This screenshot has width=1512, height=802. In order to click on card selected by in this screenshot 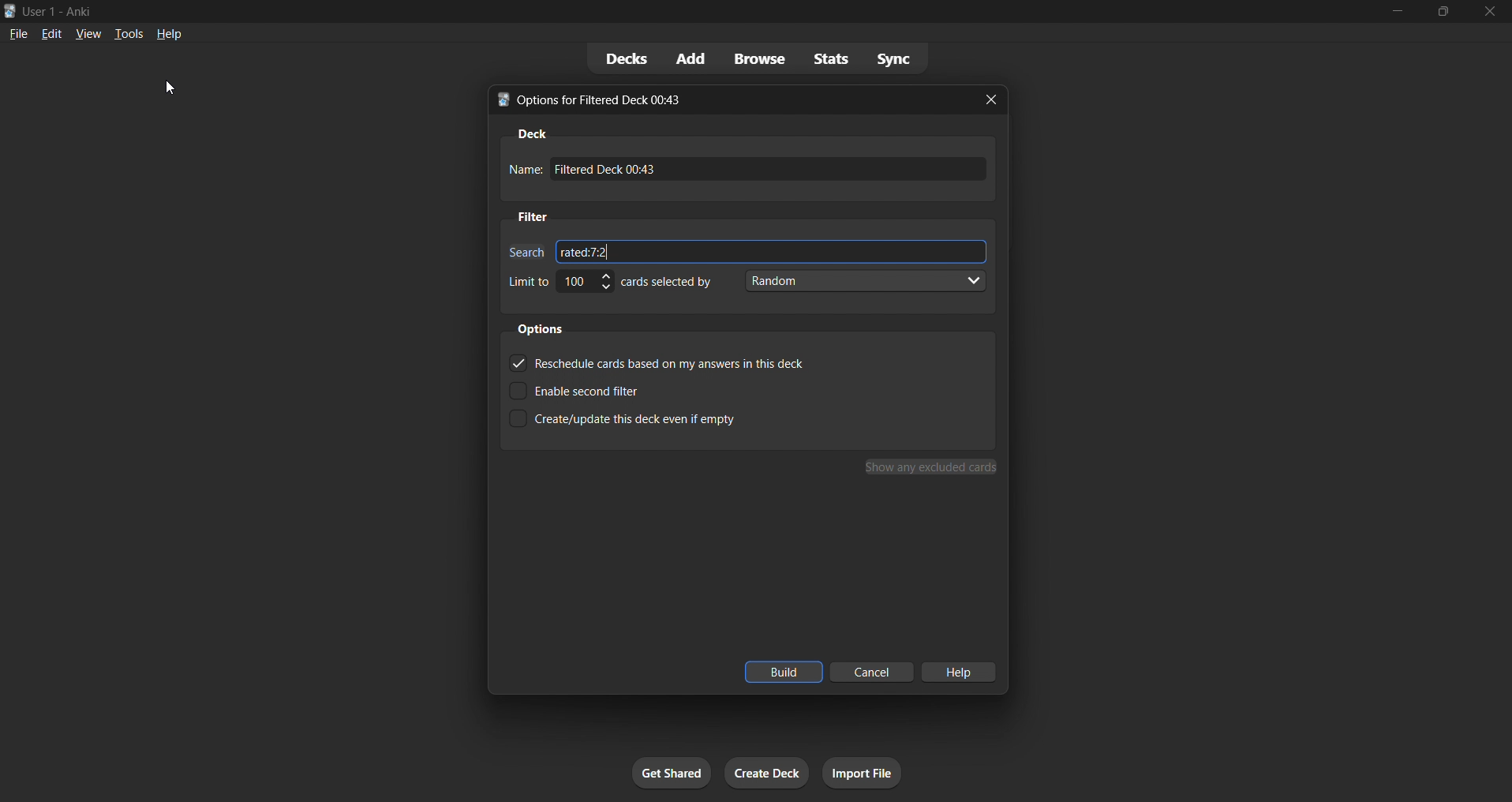, I will do `click(672, 283)`.